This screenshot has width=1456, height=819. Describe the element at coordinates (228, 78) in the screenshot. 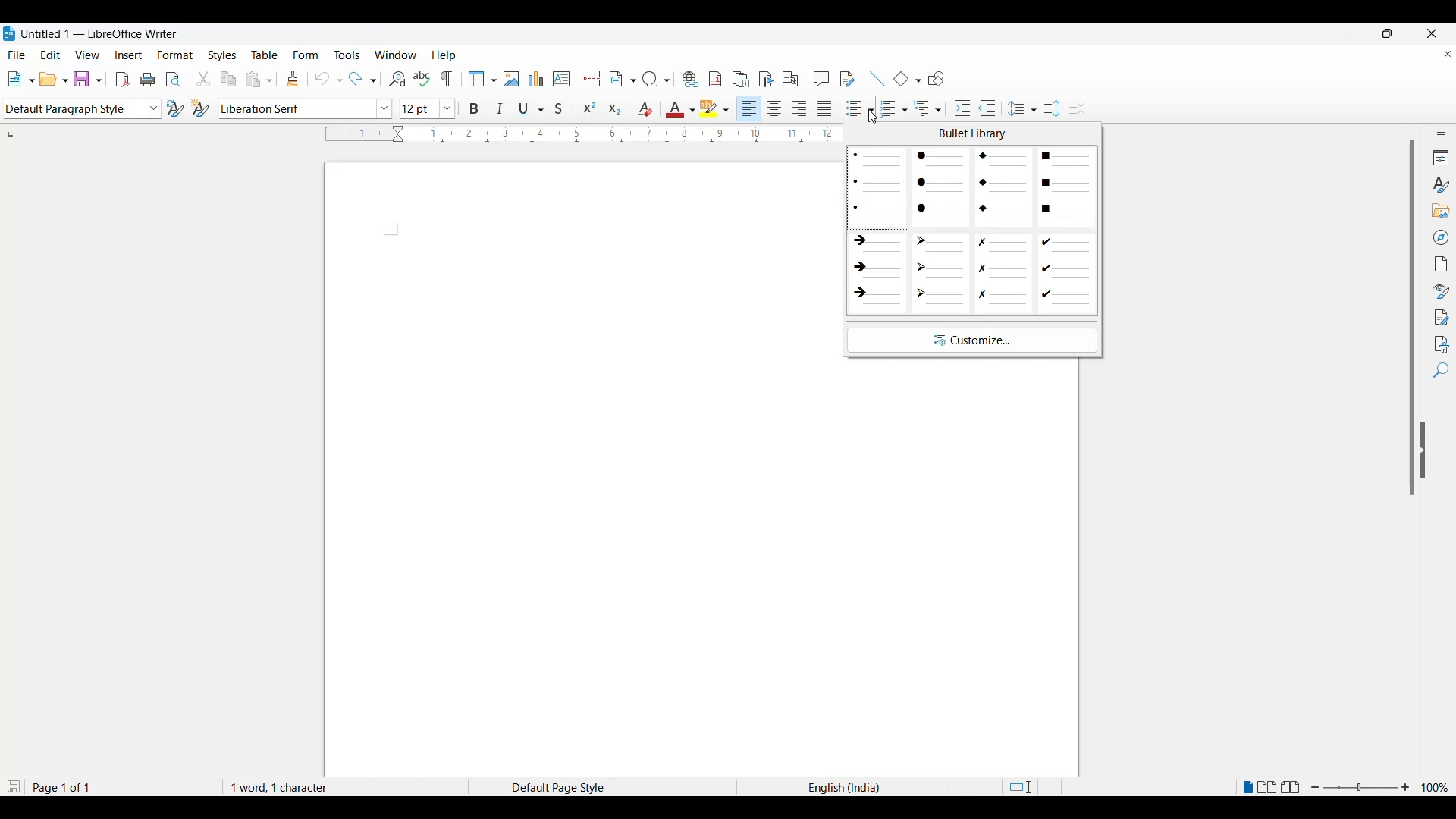

I see `copy` at that location.